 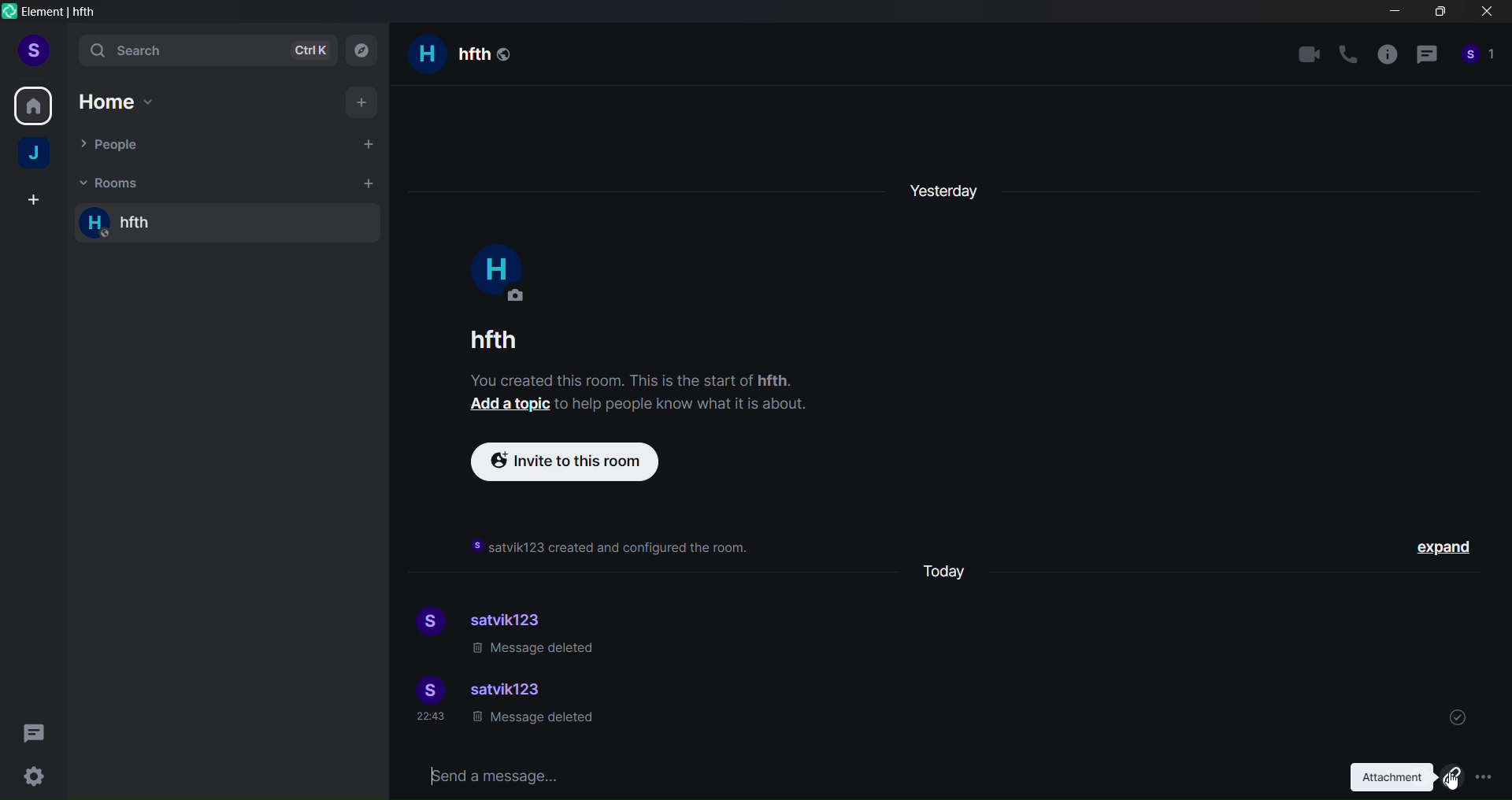 What do you see at coordinates (34, 103) in the screenshot?
I see `home` at bounding box center [34, 103].